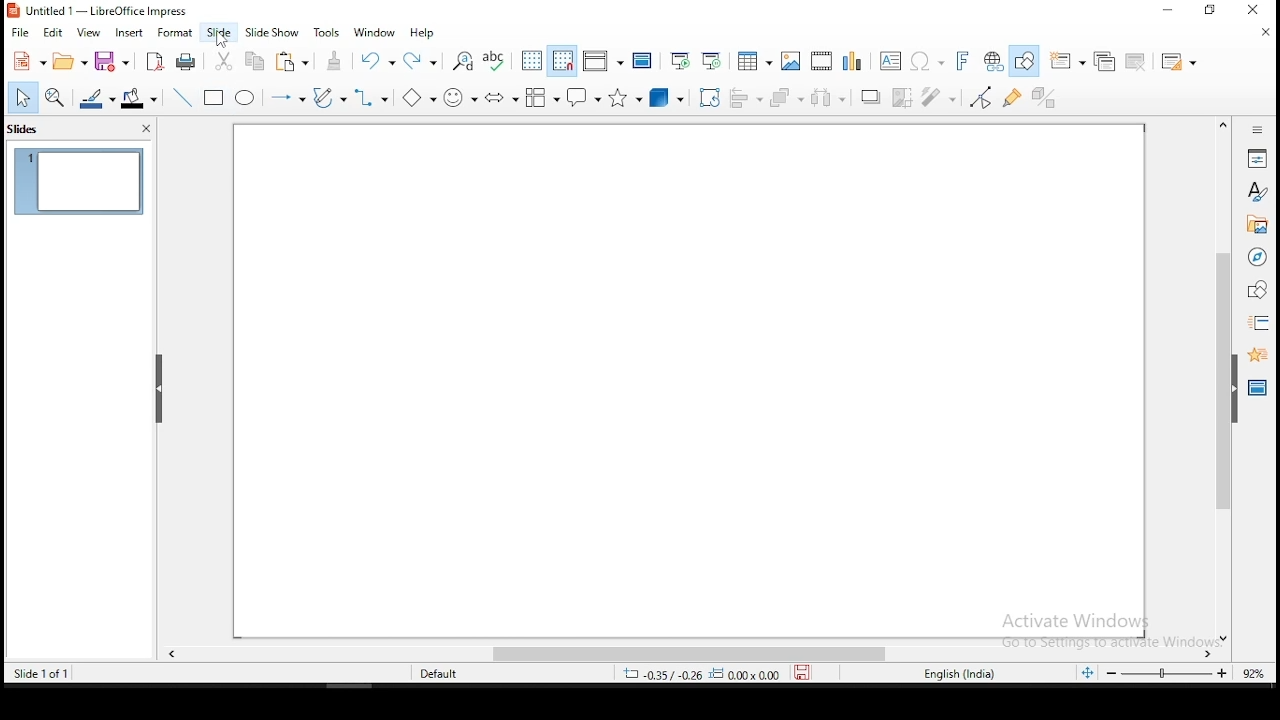 This screenshot has width=1280, height=720. Describe the element at coordinates (803, 675) in the screenshot. I see `save` at that location.